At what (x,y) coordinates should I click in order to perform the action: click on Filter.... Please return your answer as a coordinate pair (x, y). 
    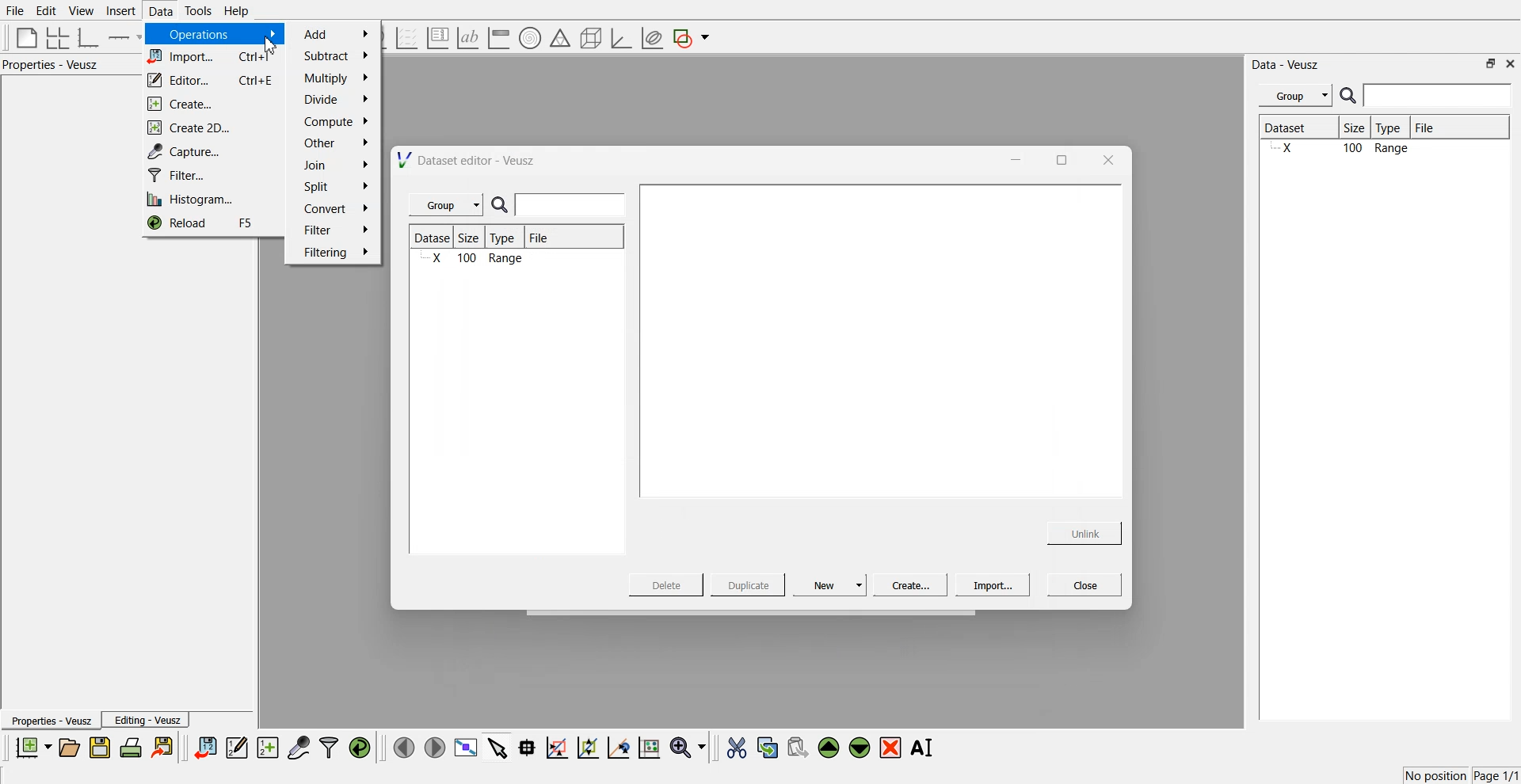
    Looking at the image, I should click on (209, 176).